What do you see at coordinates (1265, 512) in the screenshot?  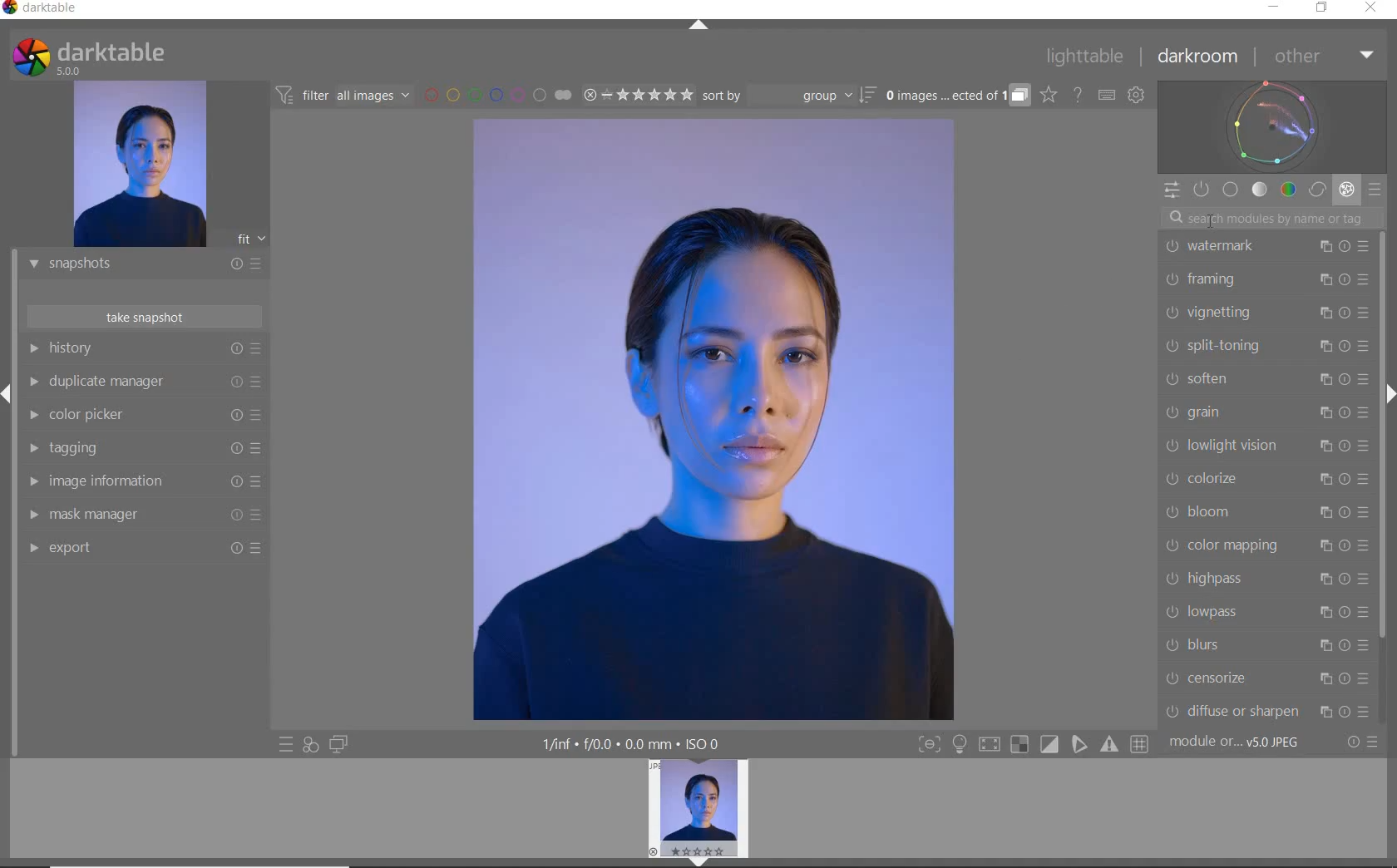 I see `BLOOM` at bounding box center [1265, 512].